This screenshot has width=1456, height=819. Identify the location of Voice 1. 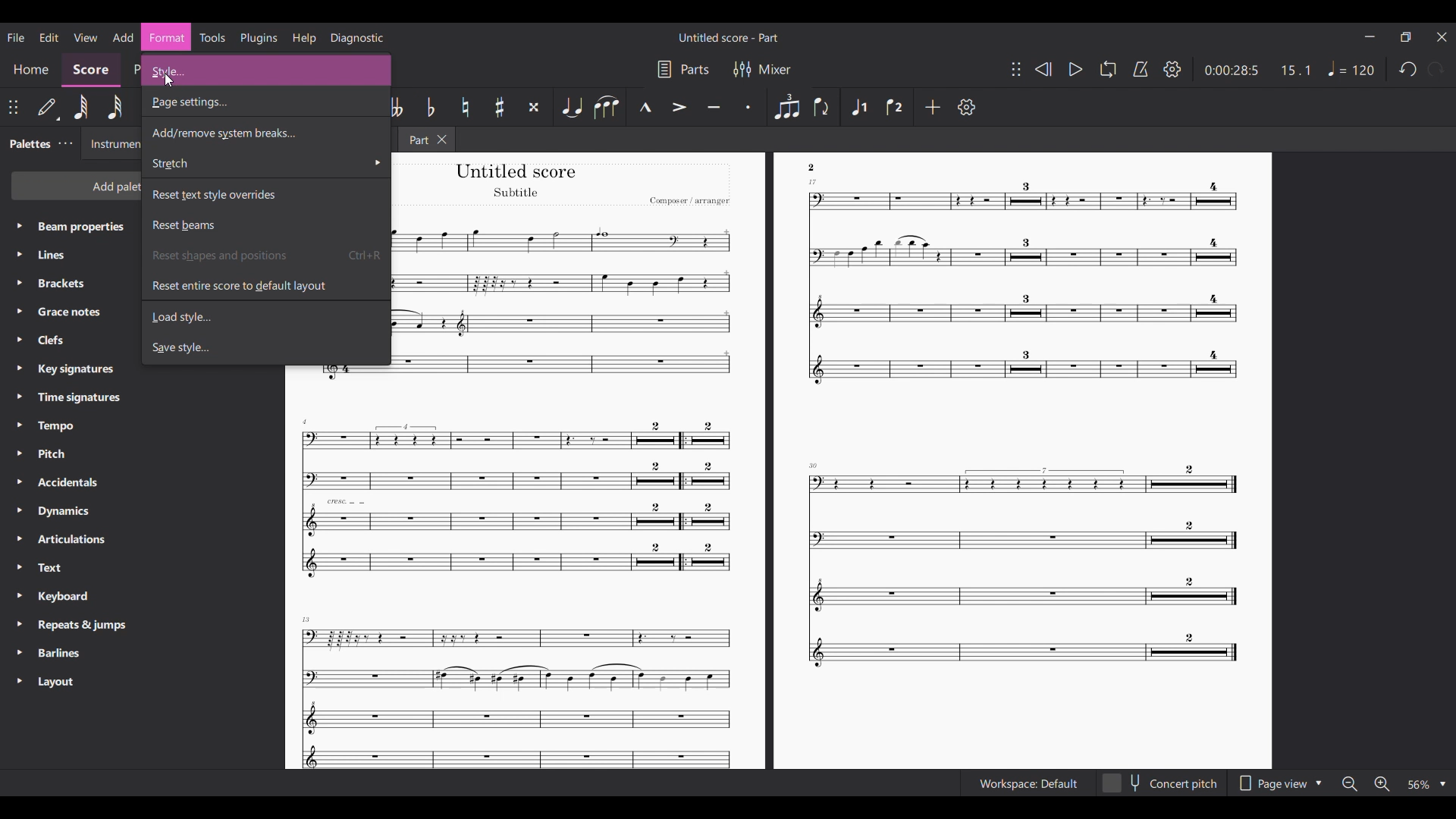
(858, 107).